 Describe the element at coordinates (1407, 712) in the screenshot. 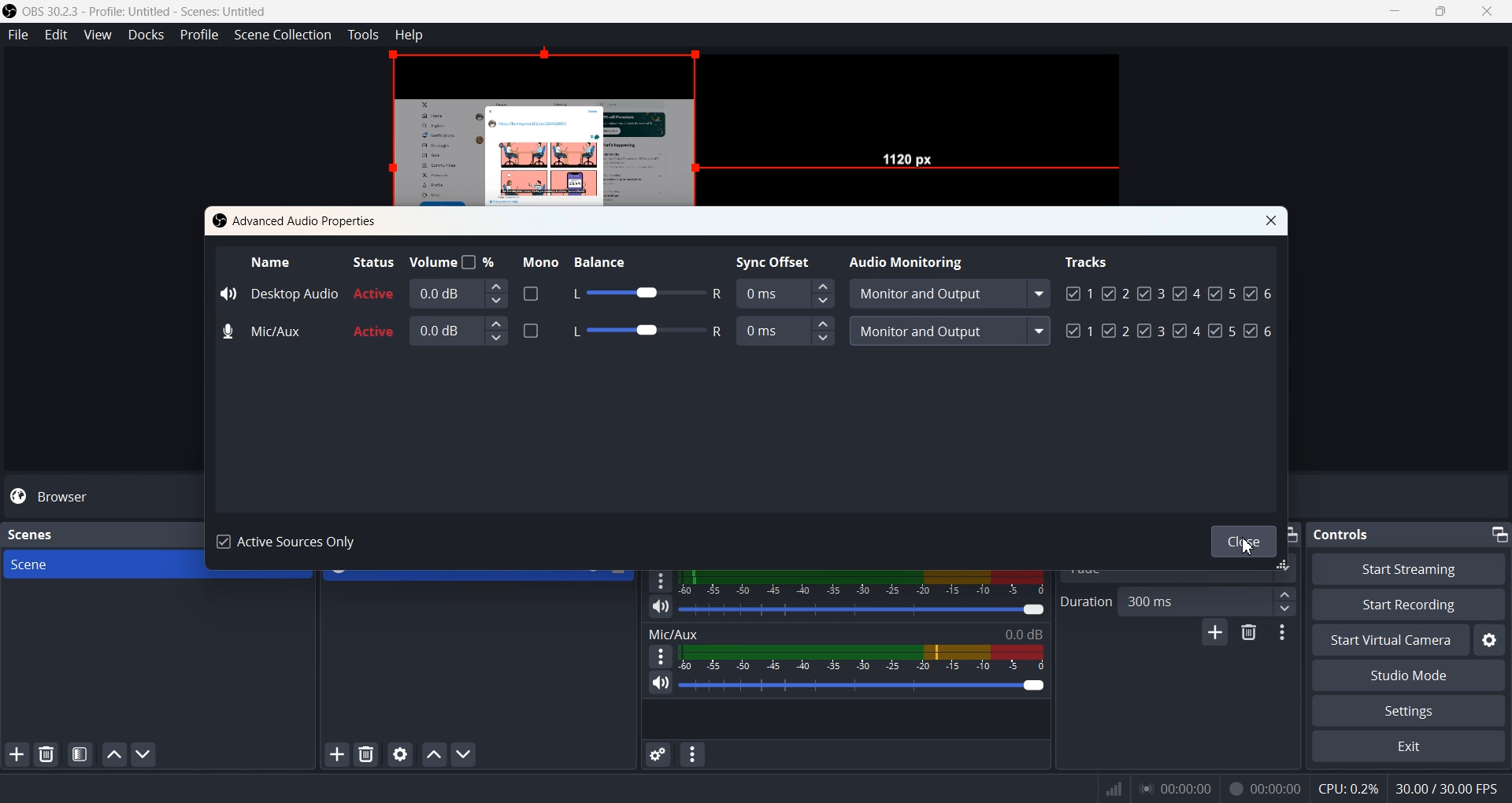

I see `Settings` at that location.